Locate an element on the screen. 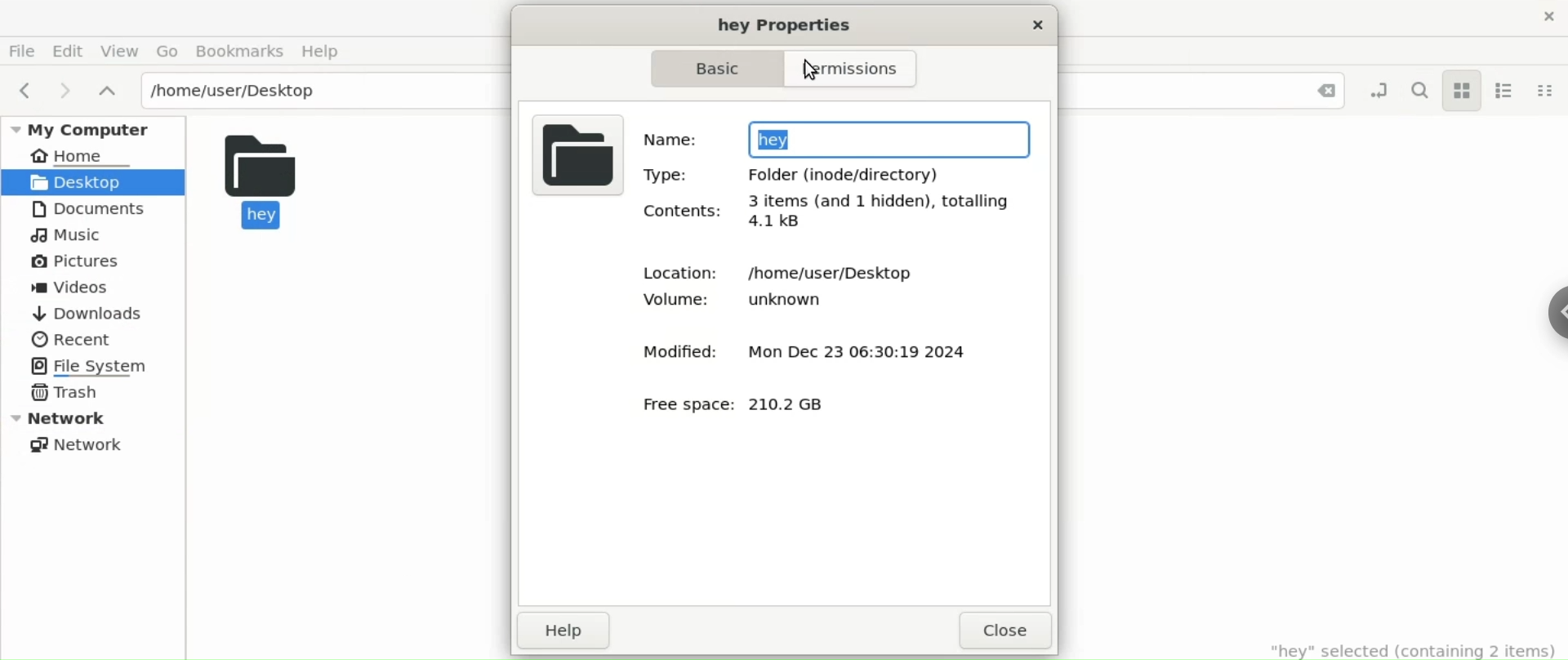  file is located at coordinates (574, 157).